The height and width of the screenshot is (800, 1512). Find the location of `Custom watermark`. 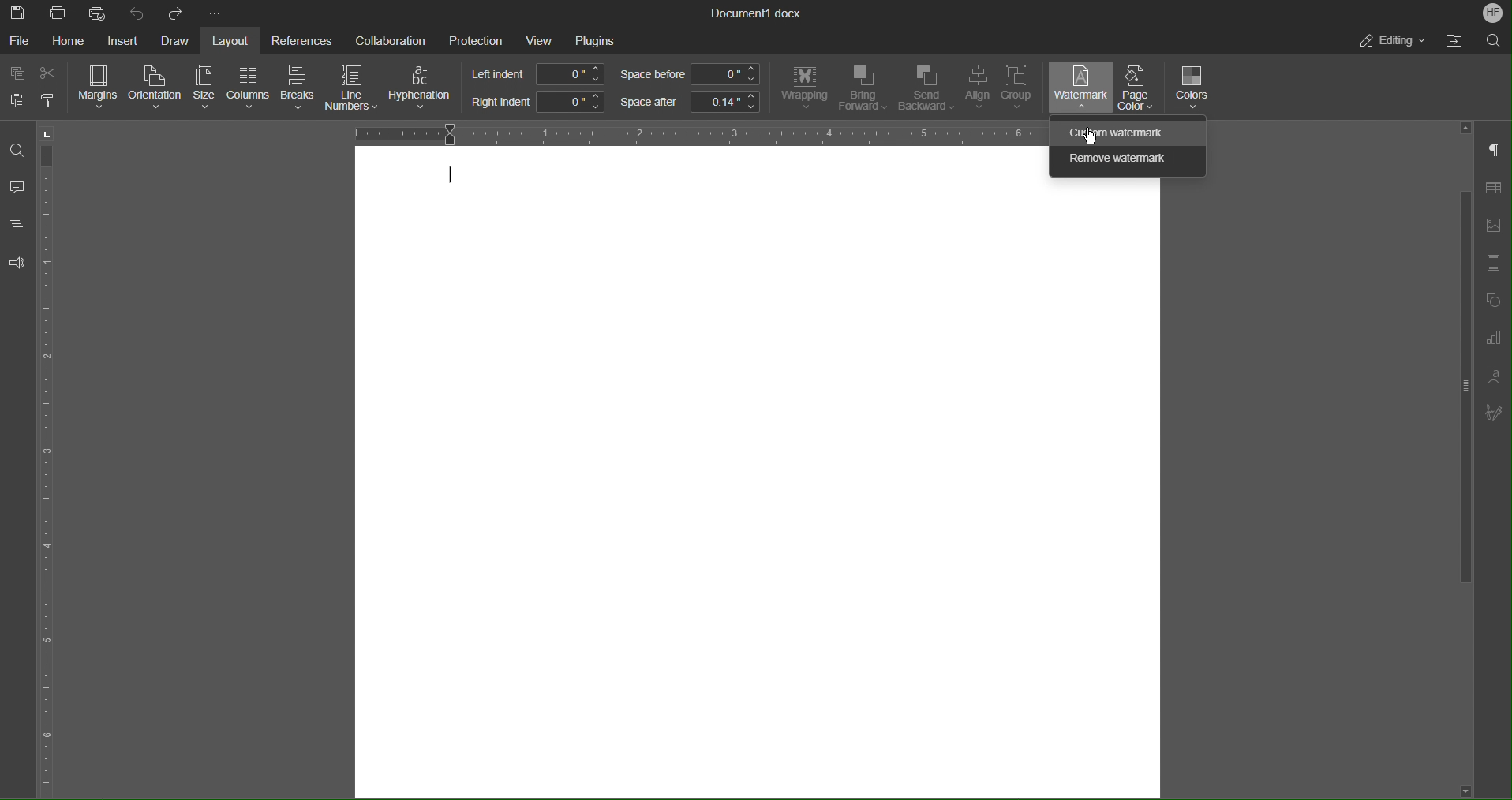

Custom watermark is located at coordinates (1128, 133).